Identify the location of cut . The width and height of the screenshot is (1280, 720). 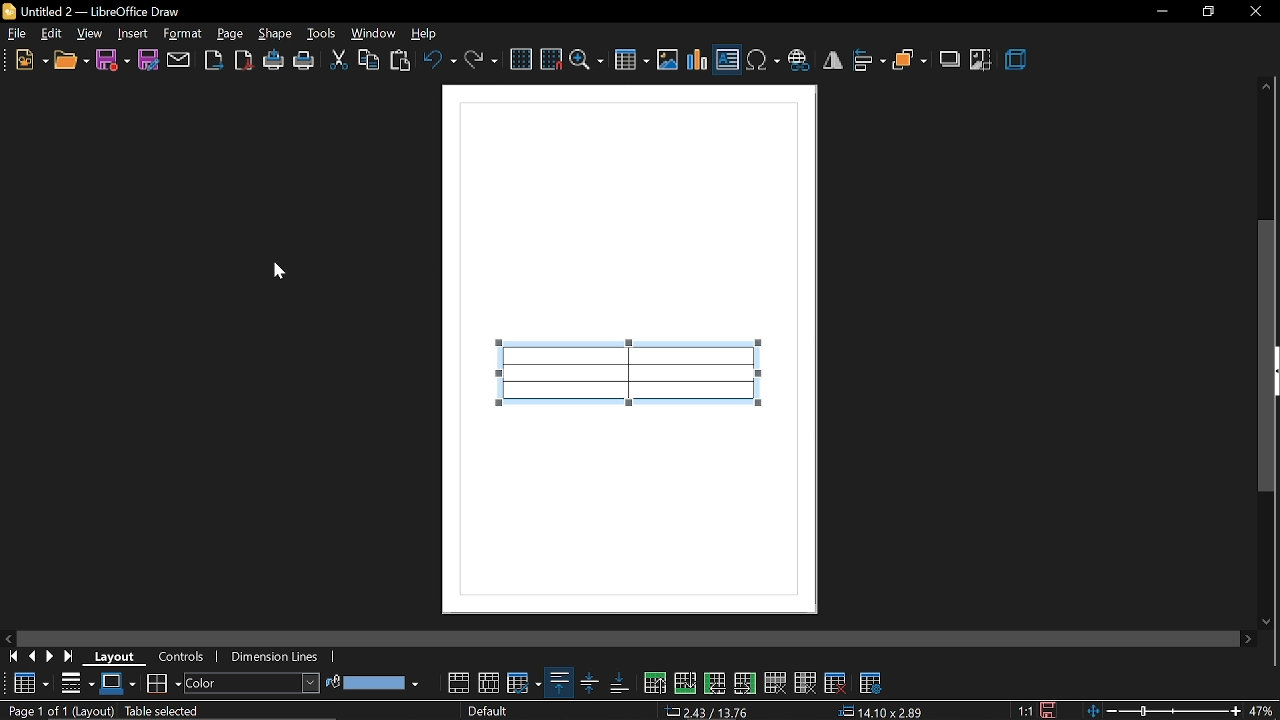
(338, 61).